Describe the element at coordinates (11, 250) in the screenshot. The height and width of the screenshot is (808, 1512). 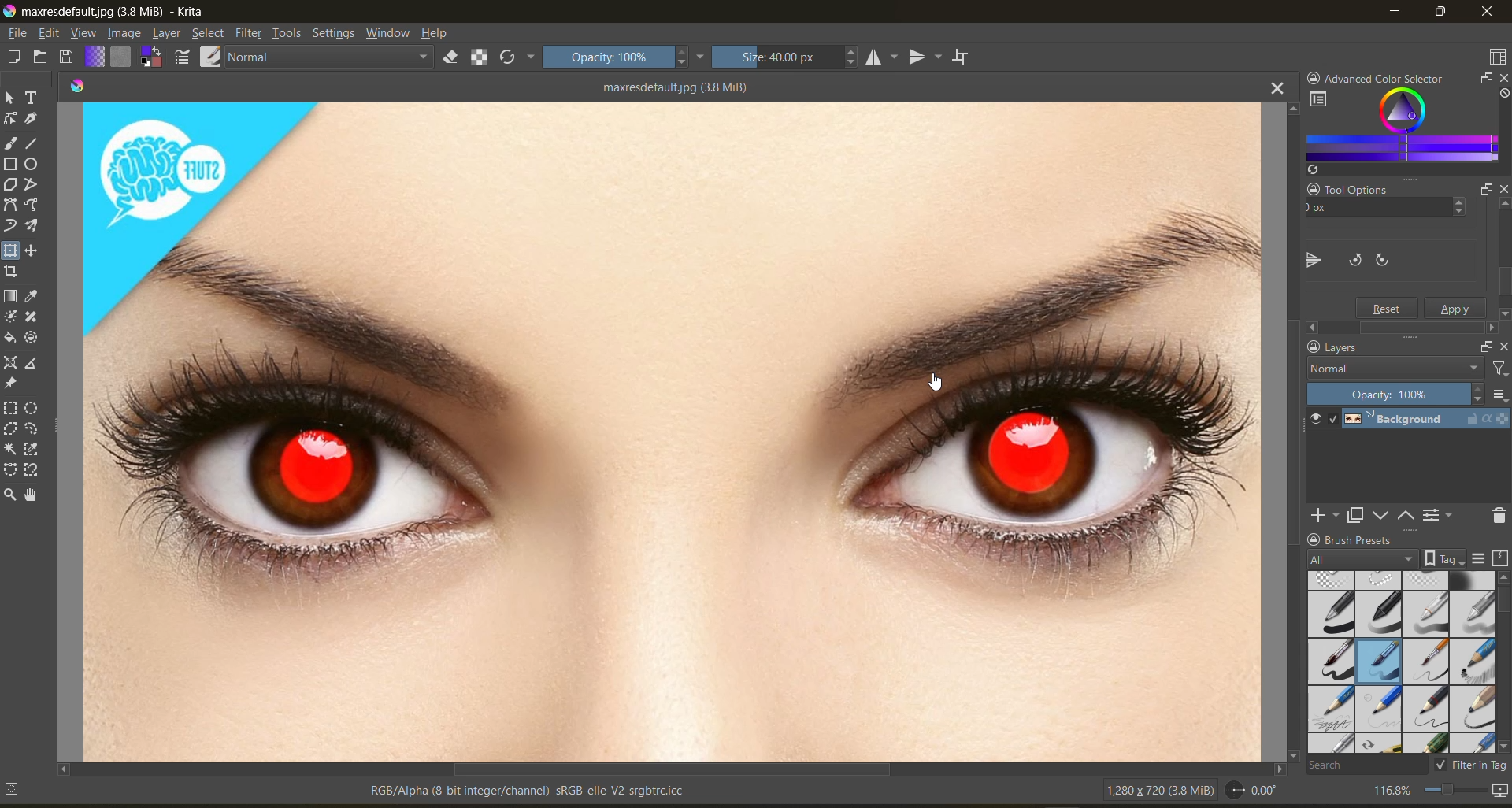
I see `tool` at that location.